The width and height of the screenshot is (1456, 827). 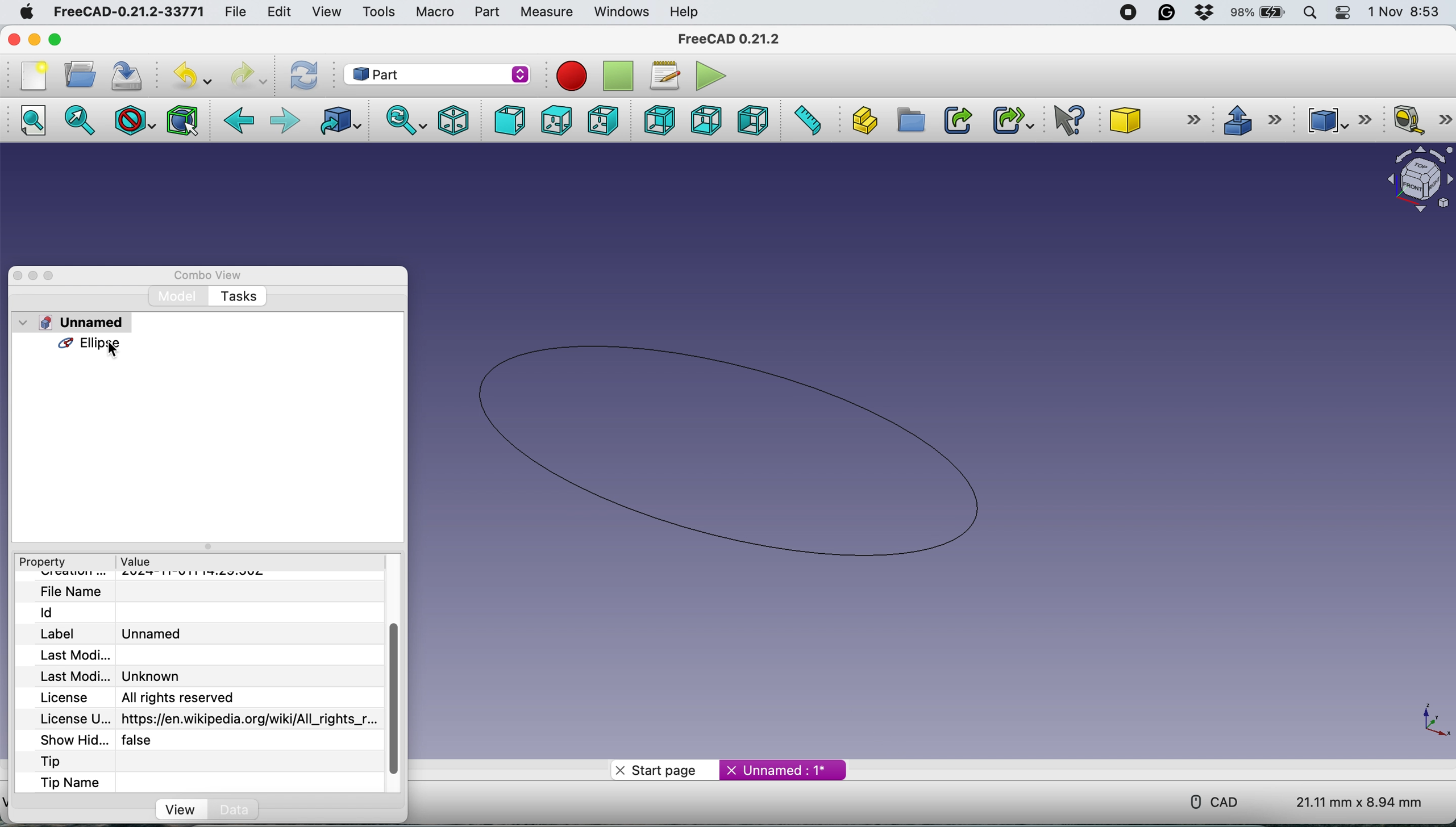 What do you see at coordinates (55, 762) in the screenshot?
I see `tip` at bounding box center [55, 762].